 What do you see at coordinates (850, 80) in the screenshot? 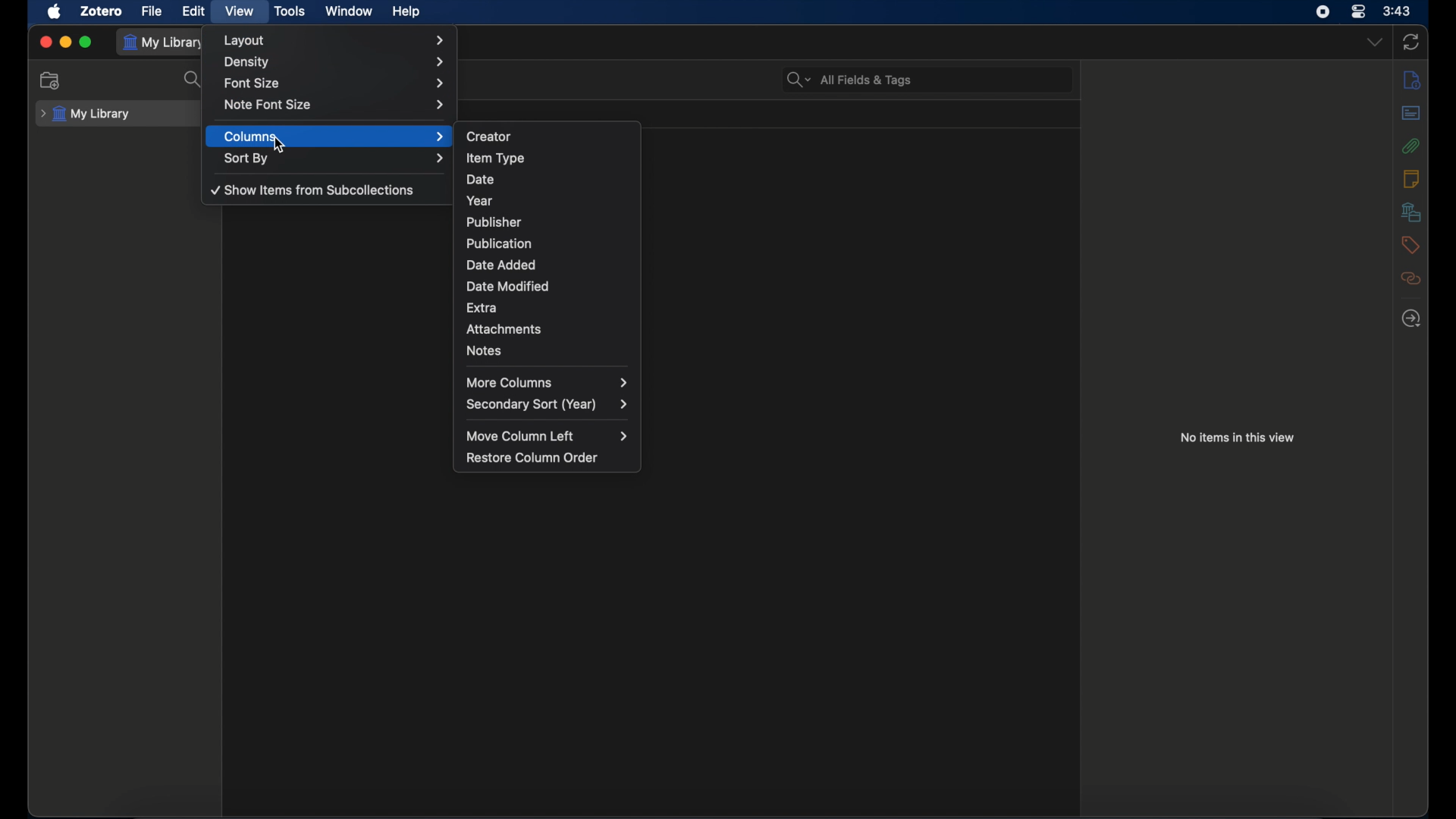
I see `search bar` at bounding box center [850, 80].